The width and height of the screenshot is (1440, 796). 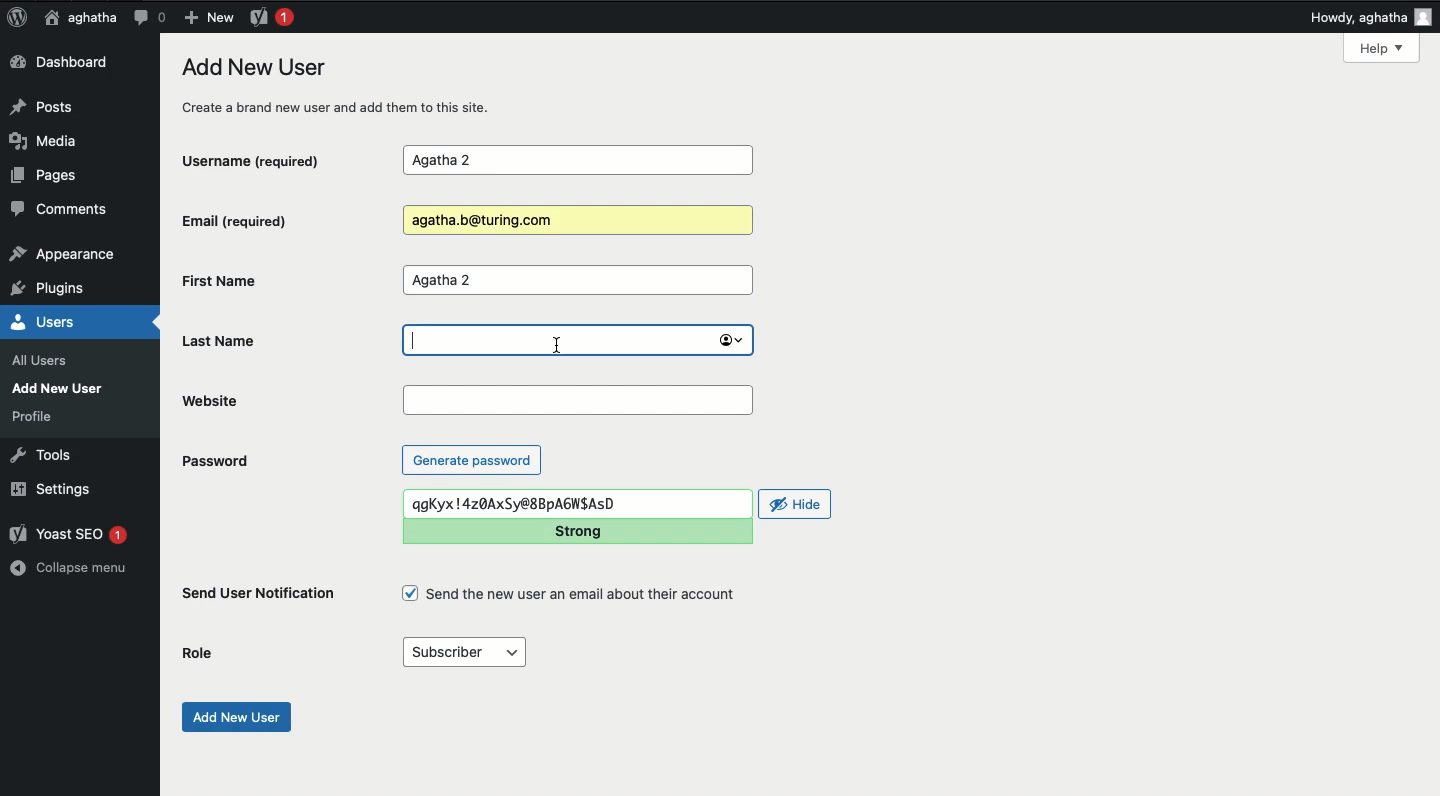 What do you see at coordinates (472, 459) in the screenshot?
I see `Generate password` at bounding box center [472, 459].